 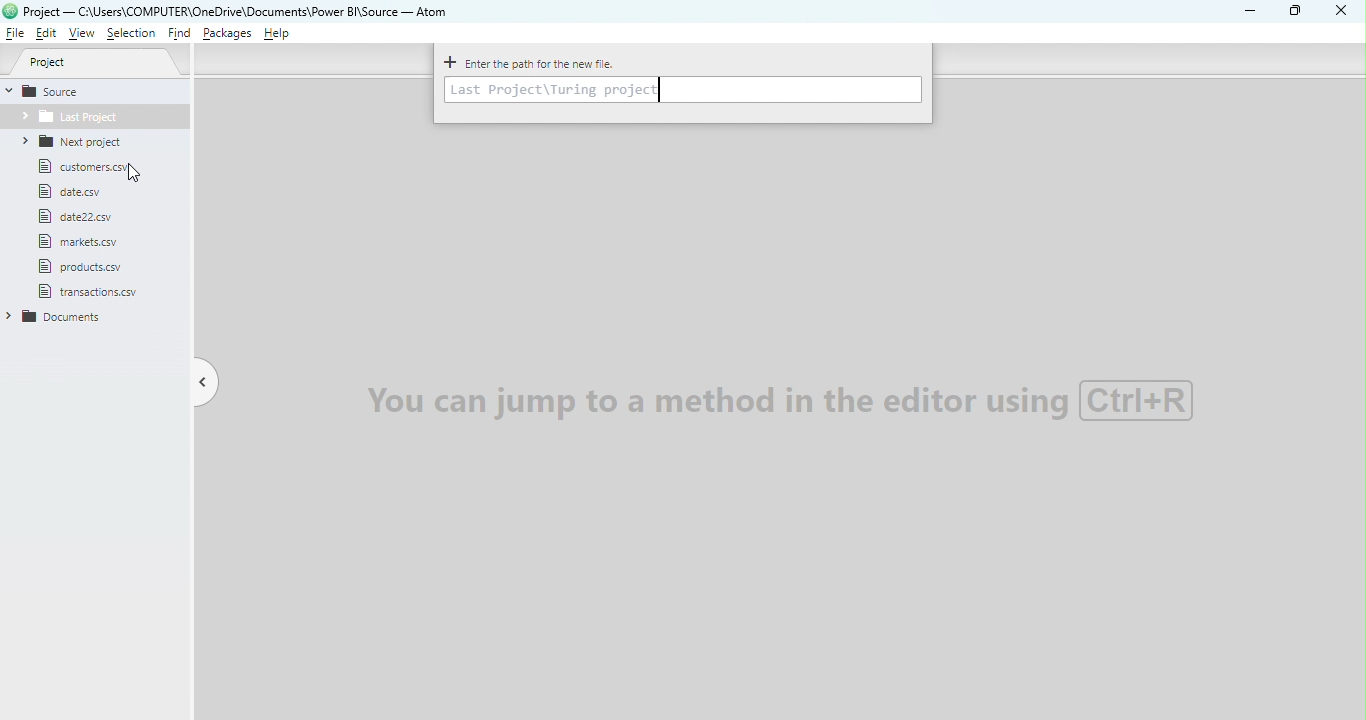 What do you see at coordinates (78, 34) in the screenshot?
I see `View` at bounding box center [78, 34].